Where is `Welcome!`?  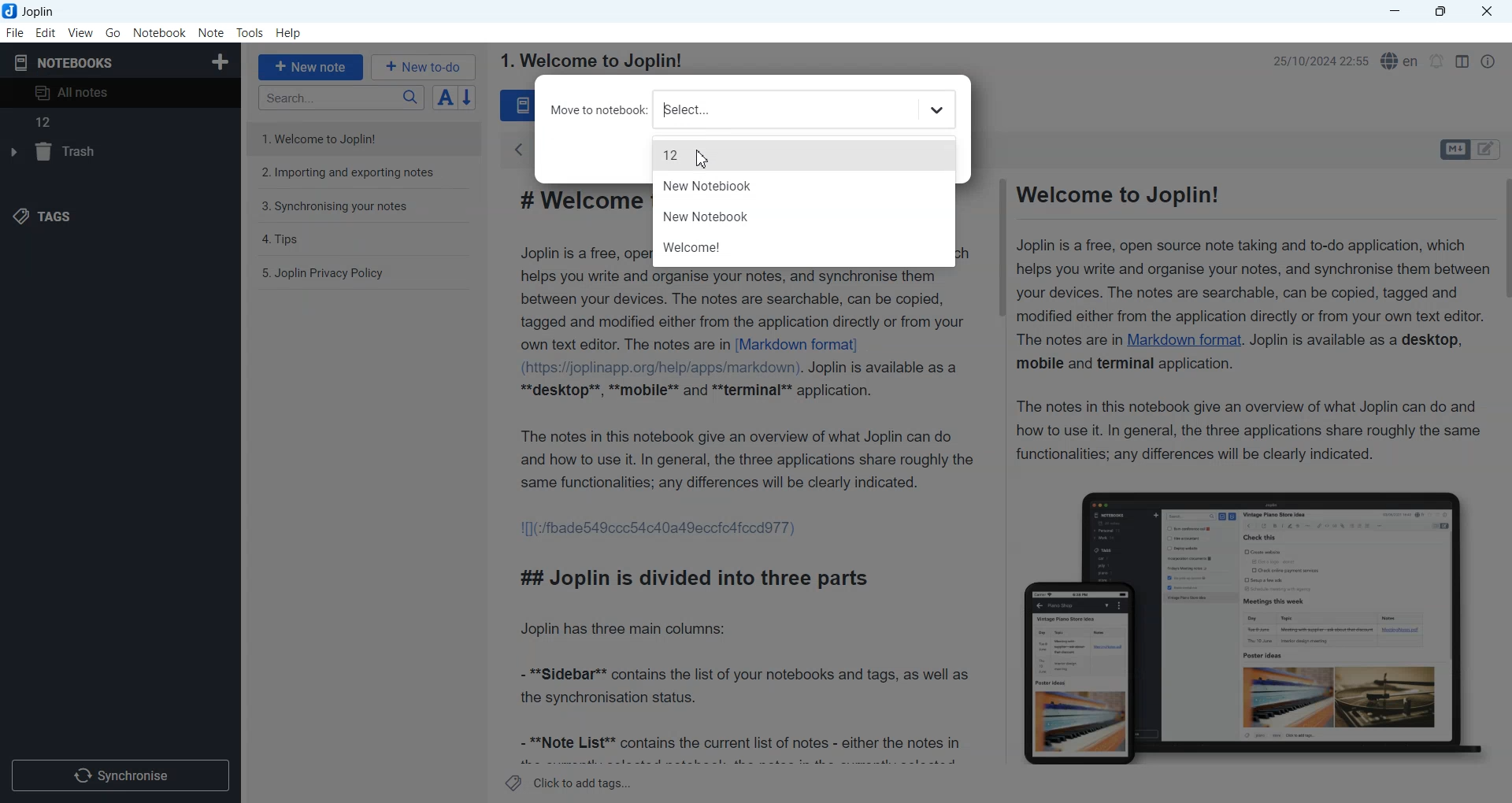
Welcome! is located at coordinates (803, 247).